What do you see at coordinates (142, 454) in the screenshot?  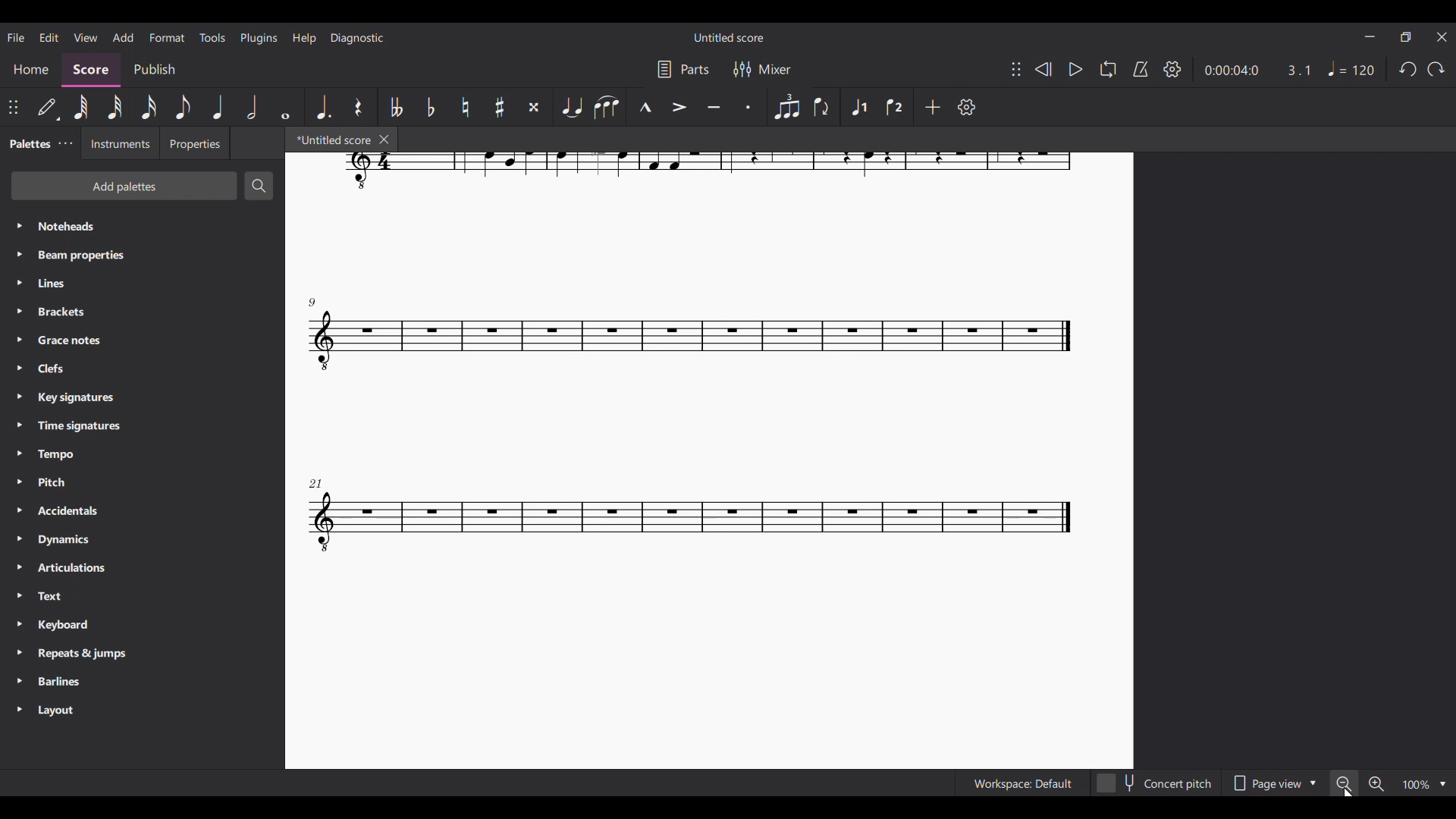 I see `Tempo` at bounding box center [142, 454].